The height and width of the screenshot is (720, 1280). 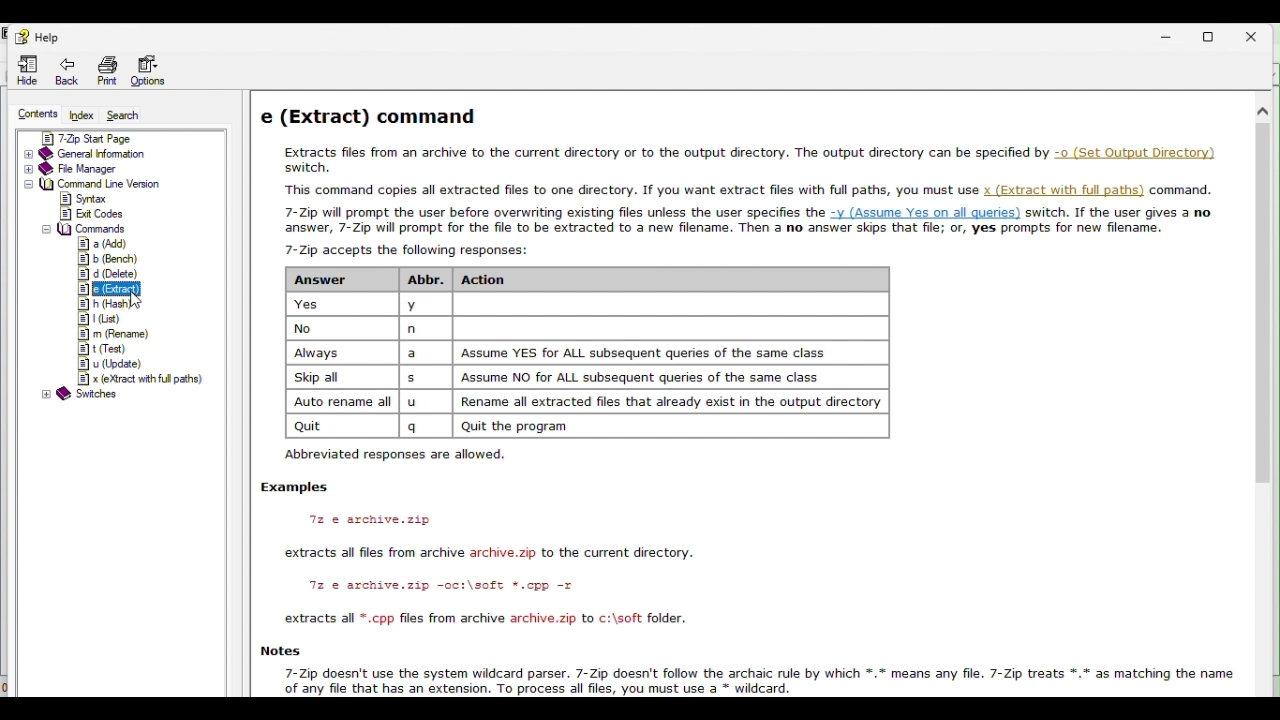 I want to click on Exit codes, so click(x=90, y=214).